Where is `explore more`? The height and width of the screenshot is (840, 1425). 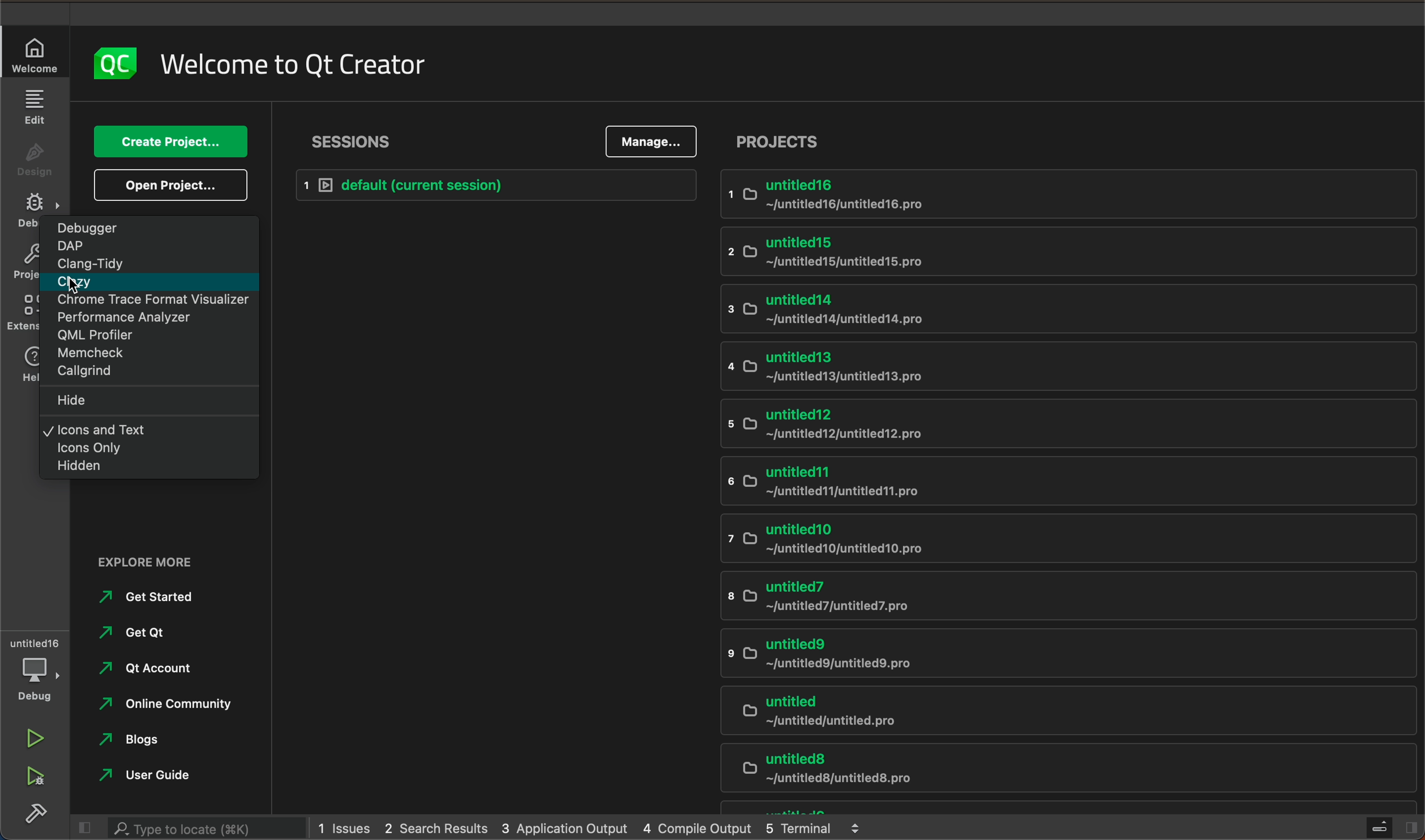
explore more is located at coordinates (152, 560).